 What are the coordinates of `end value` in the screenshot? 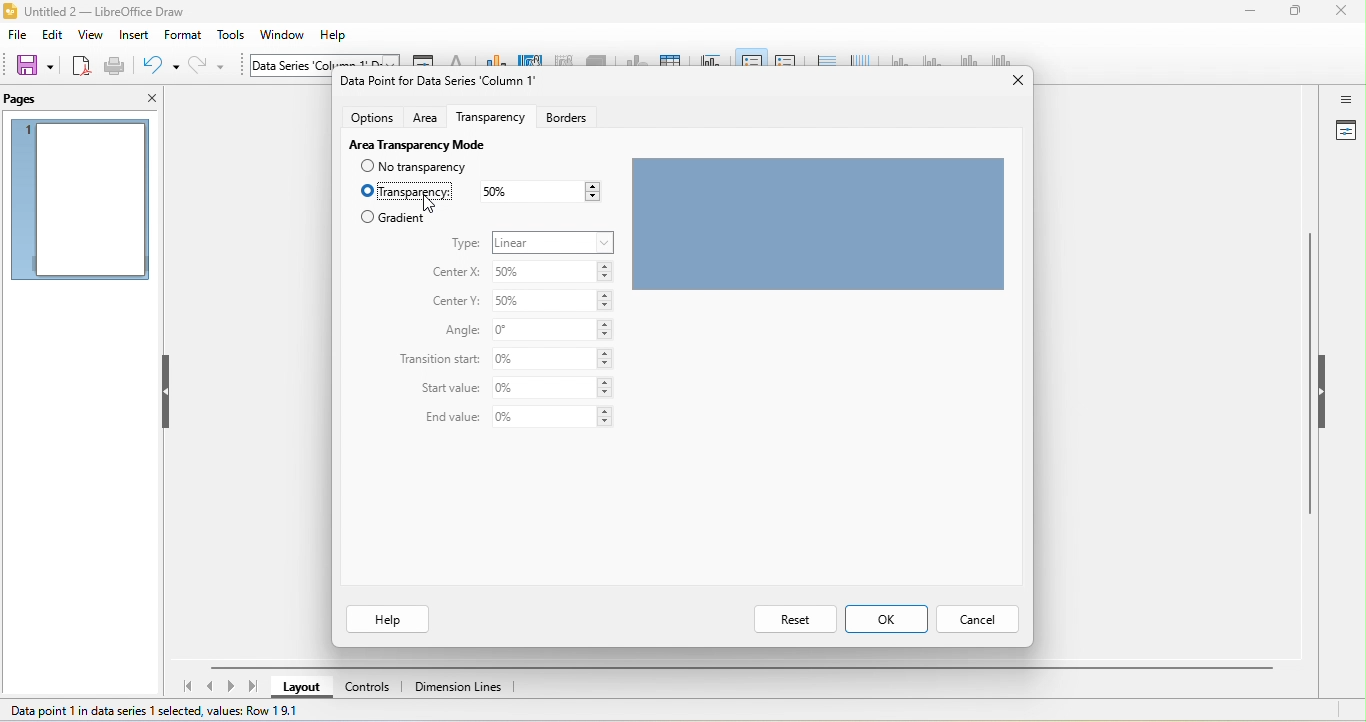 It's located at (447, 416).